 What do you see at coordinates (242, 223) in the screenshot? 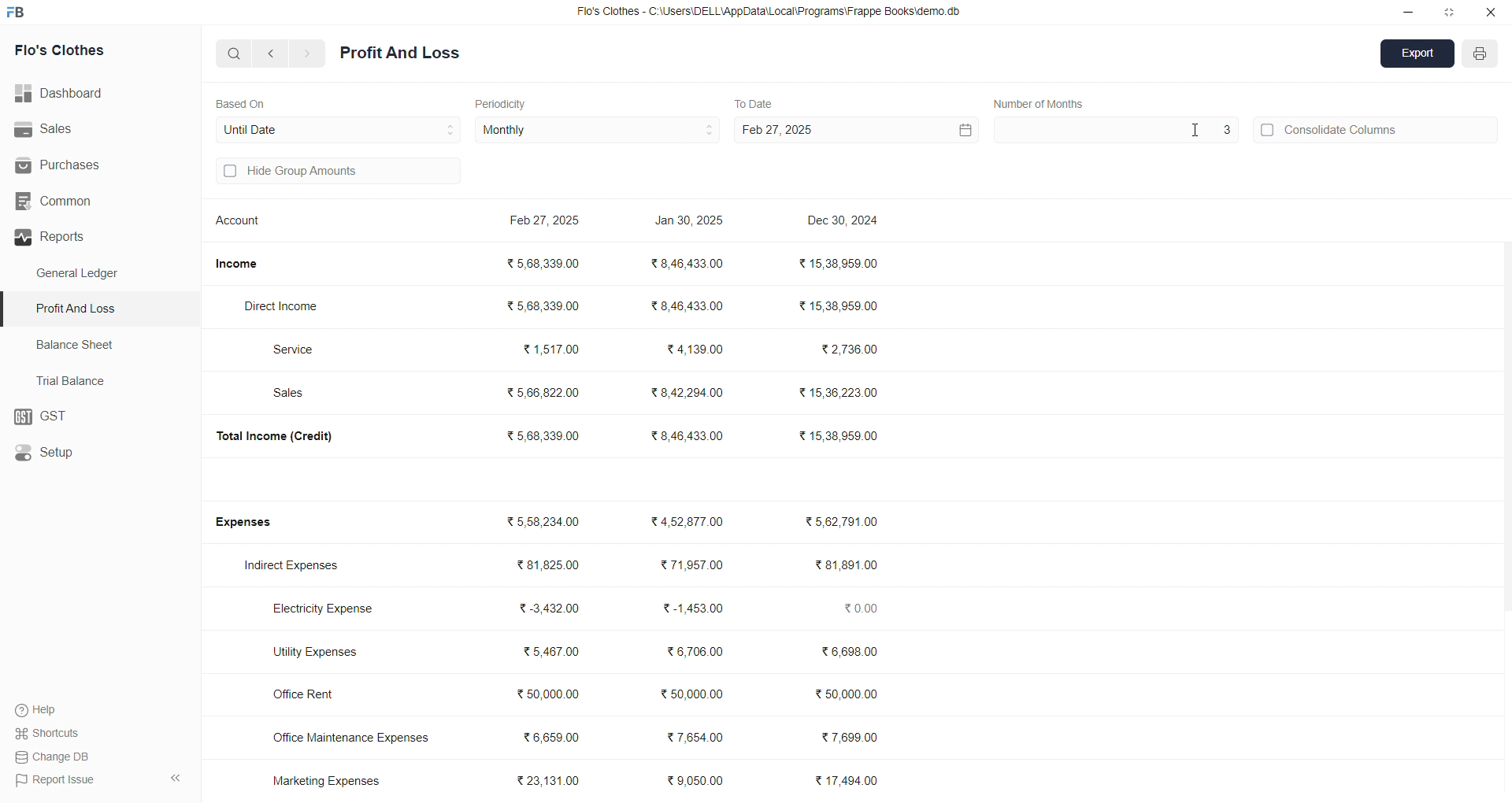
I see `Account` at bounding box center [242, 223].